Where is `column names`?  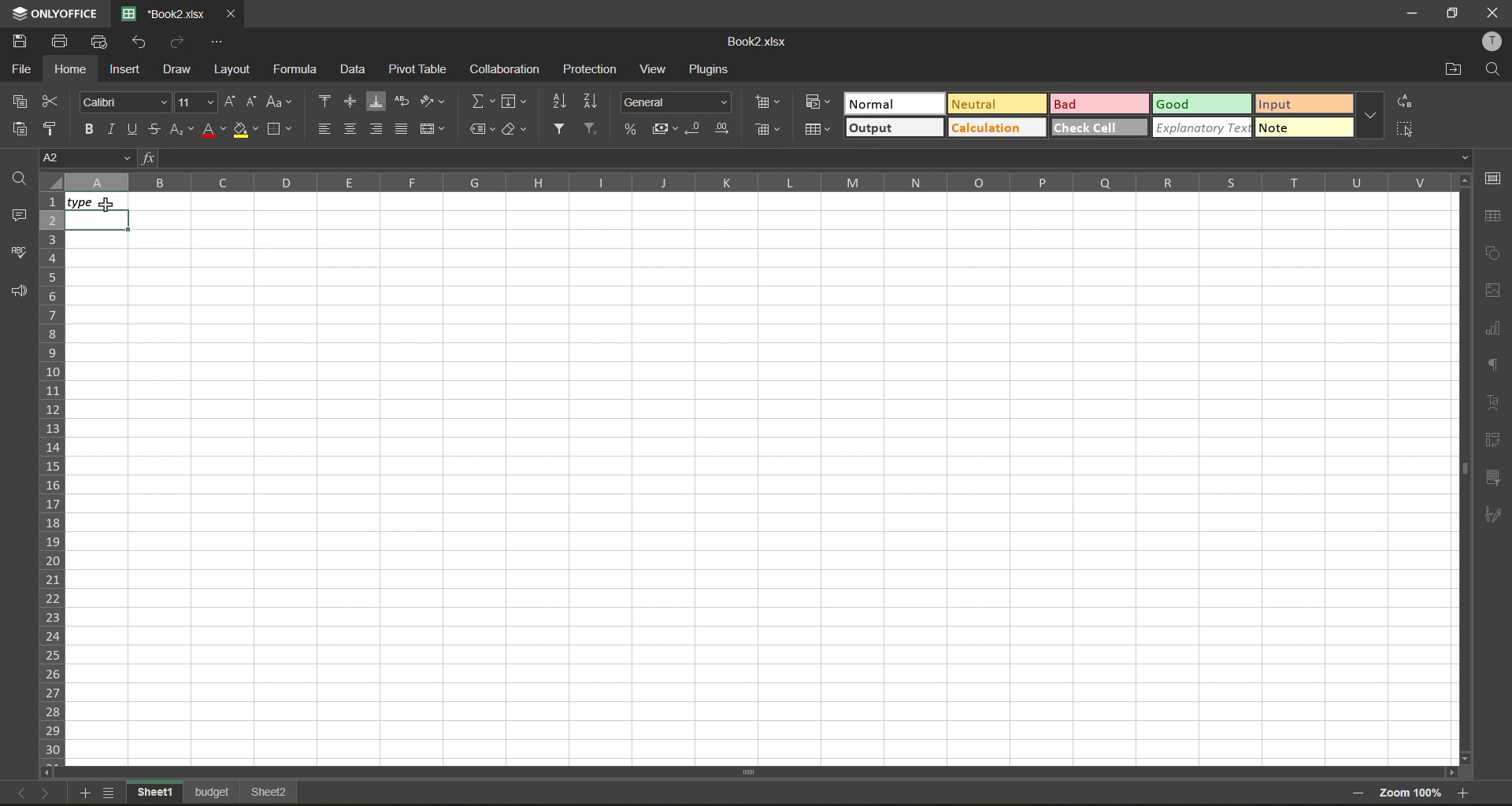 column names is located at coordinates (751, 180).